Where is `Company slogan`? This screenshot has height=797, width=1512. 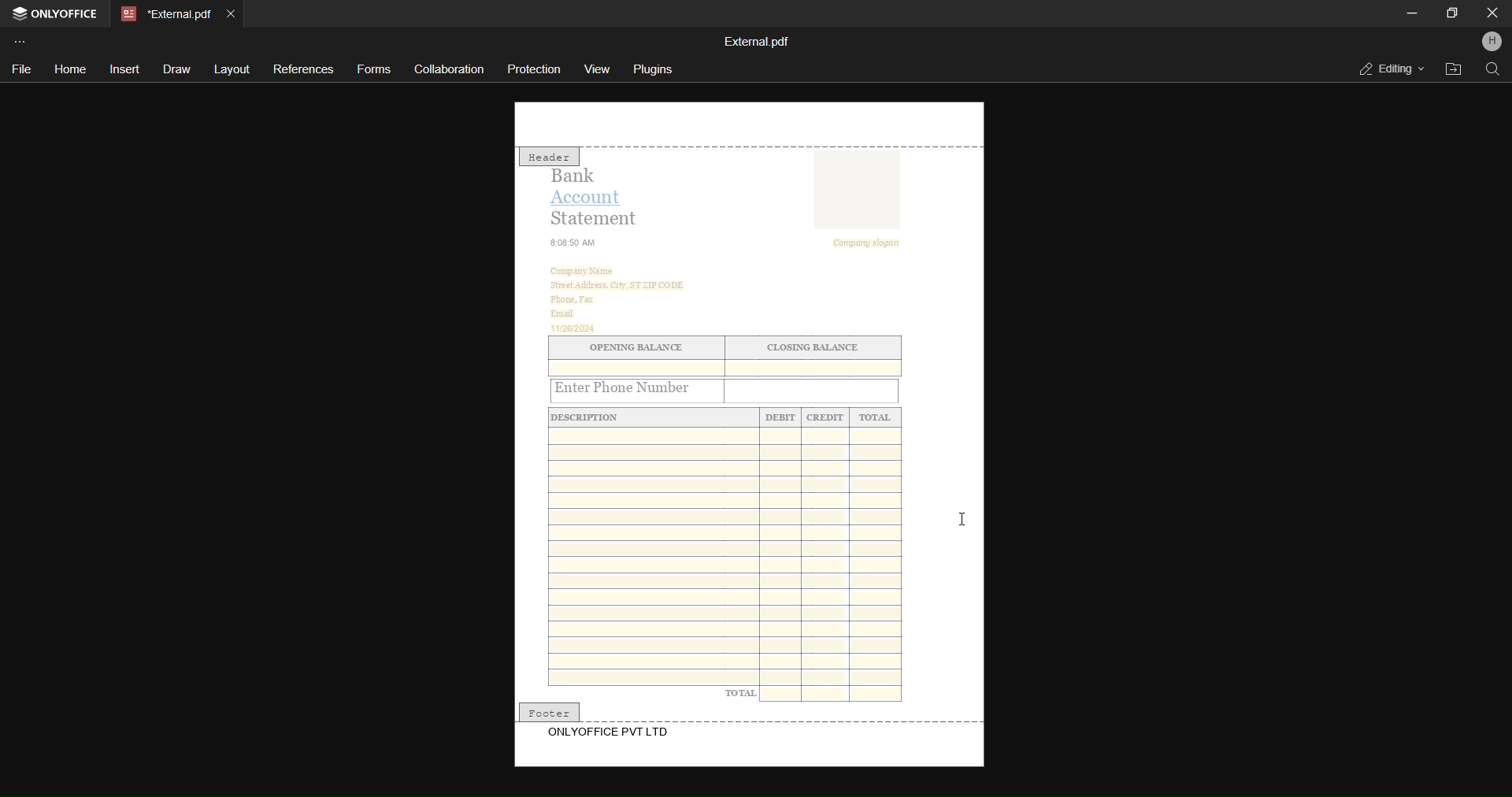
Company slogan is located at coordinates (872, 243).